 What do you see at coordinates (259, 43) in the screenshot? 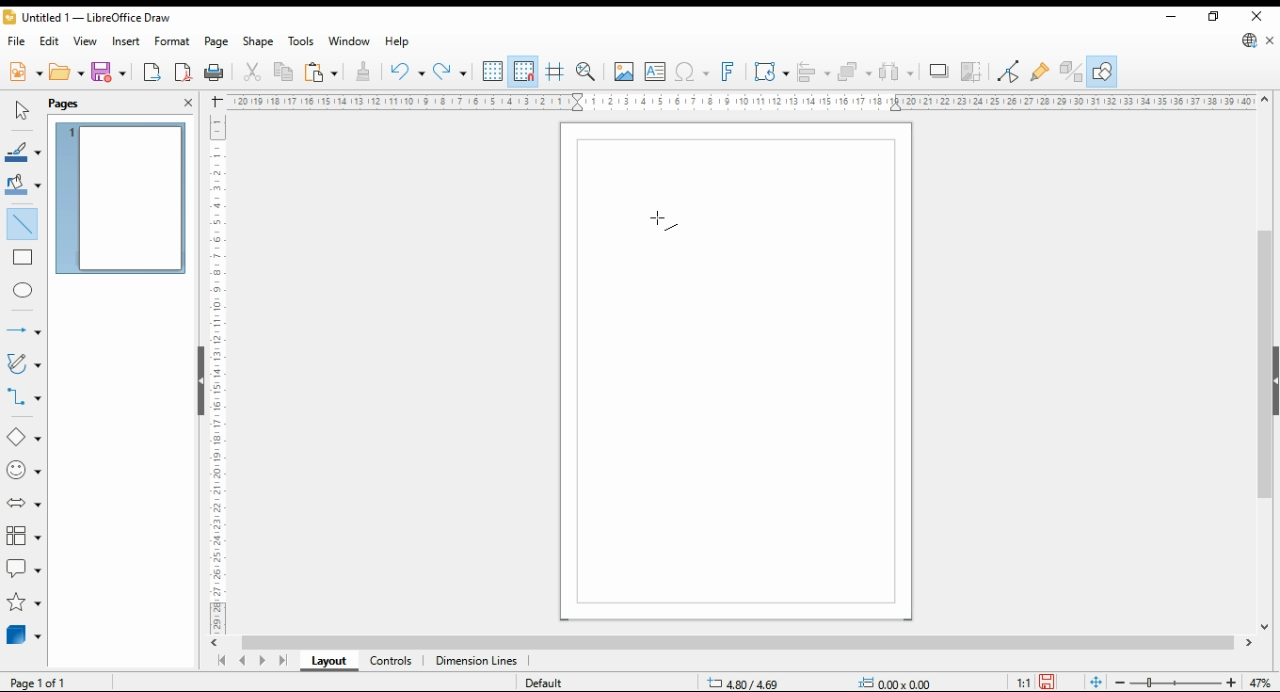
I see `shape` at bounding box center [259, 43].